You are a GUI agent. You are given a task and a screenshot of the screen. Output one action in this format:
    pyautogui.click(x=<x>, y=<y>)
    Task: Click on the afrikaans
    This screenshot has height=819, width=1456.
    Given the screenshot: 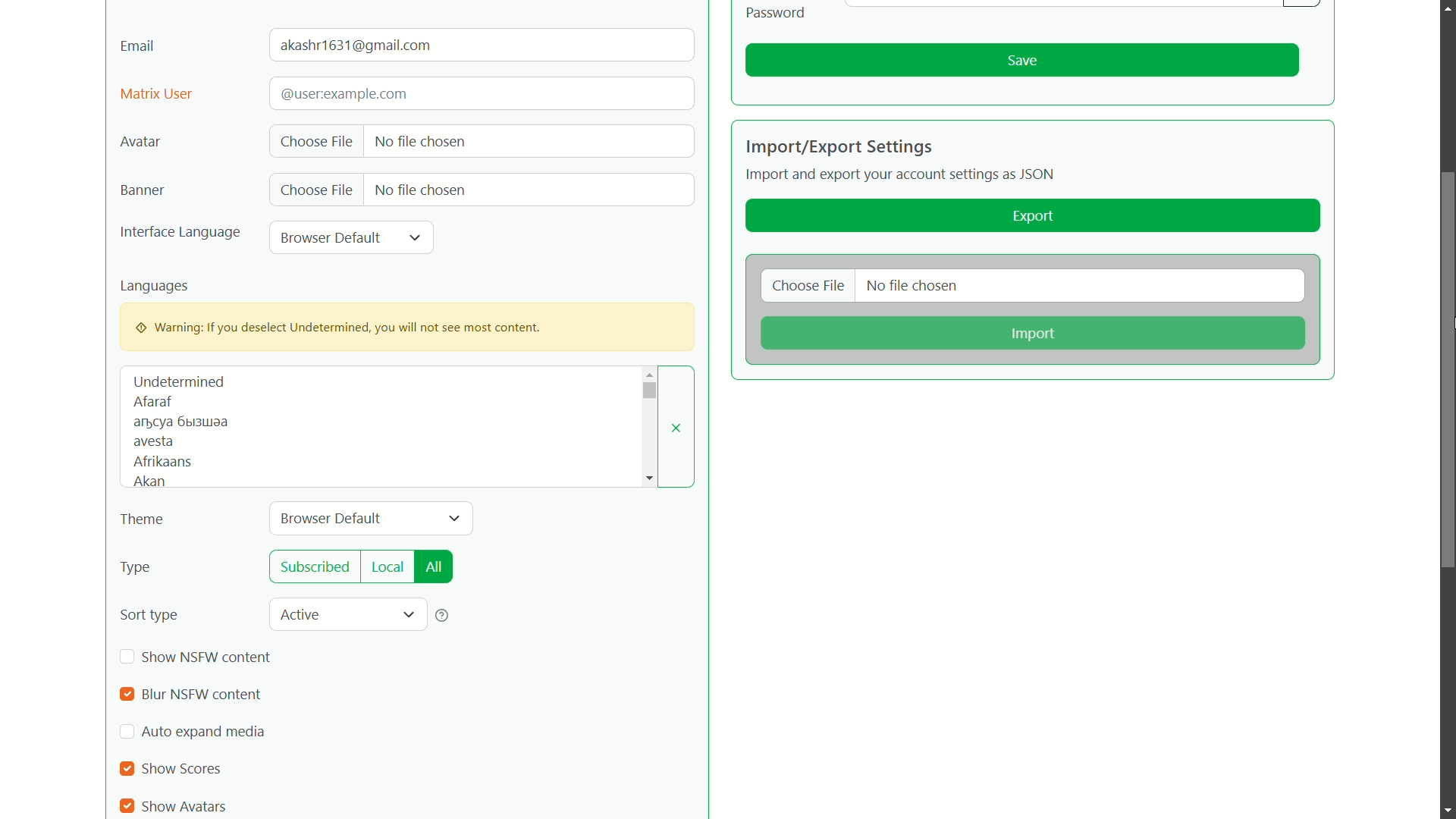 What is the action you would take?
    pyautogui.click(x=163, y=461)
    